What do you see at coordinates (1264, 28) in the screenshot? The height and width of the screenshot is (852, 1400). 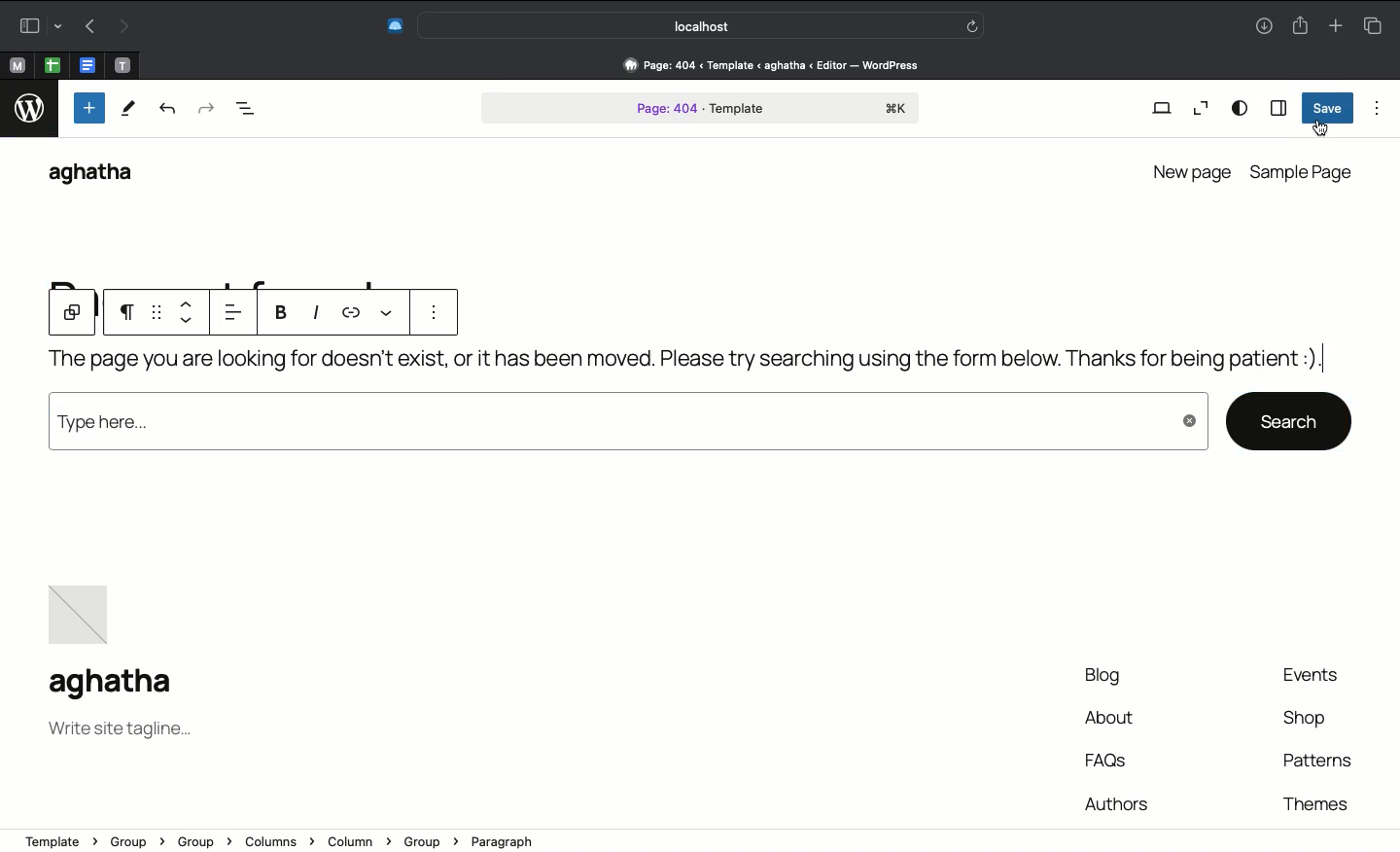 I see `Downlaods` at bounding box center [1264, 28].